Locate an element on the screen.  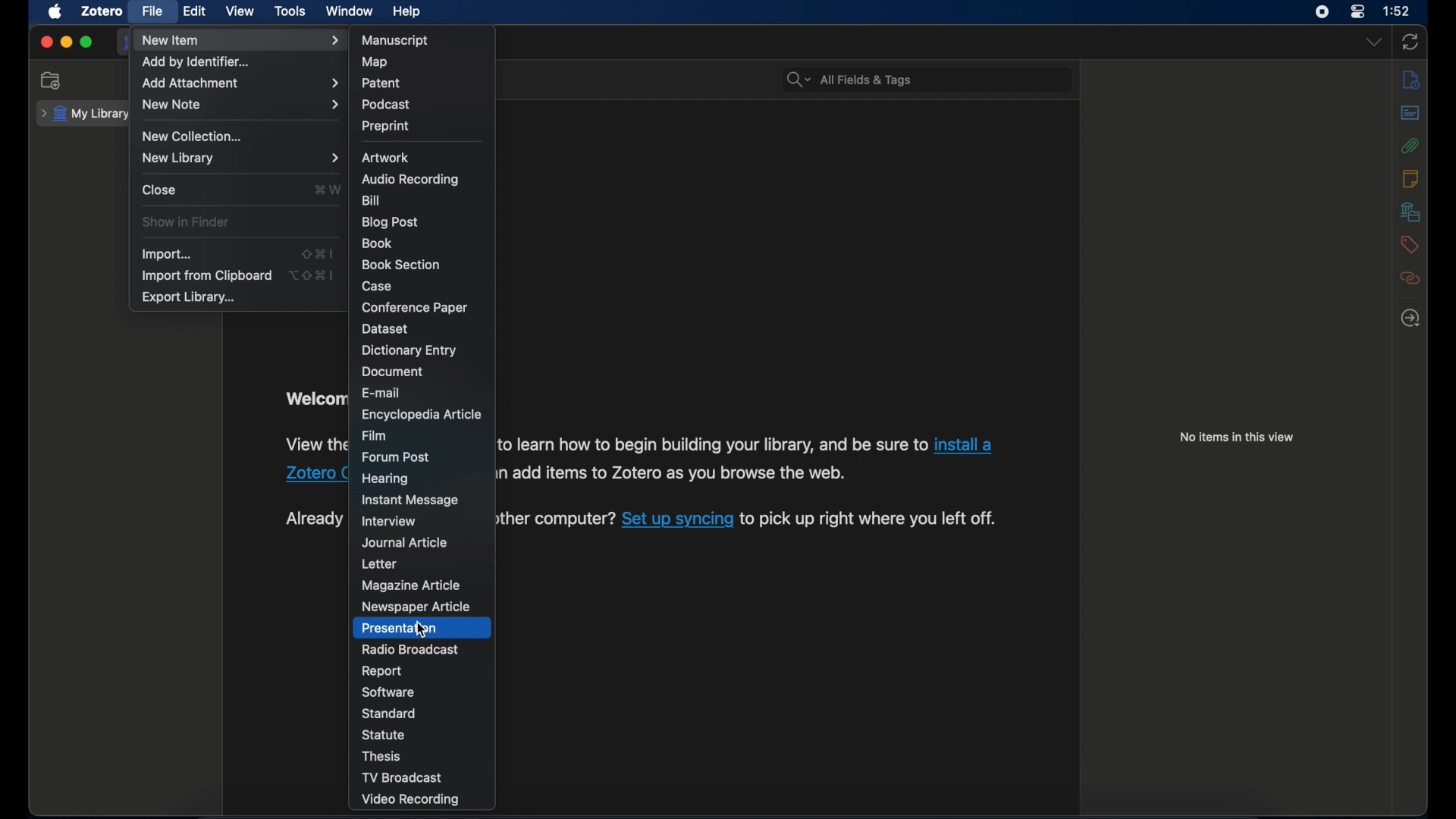
export library is located at coordinates (188, 297).